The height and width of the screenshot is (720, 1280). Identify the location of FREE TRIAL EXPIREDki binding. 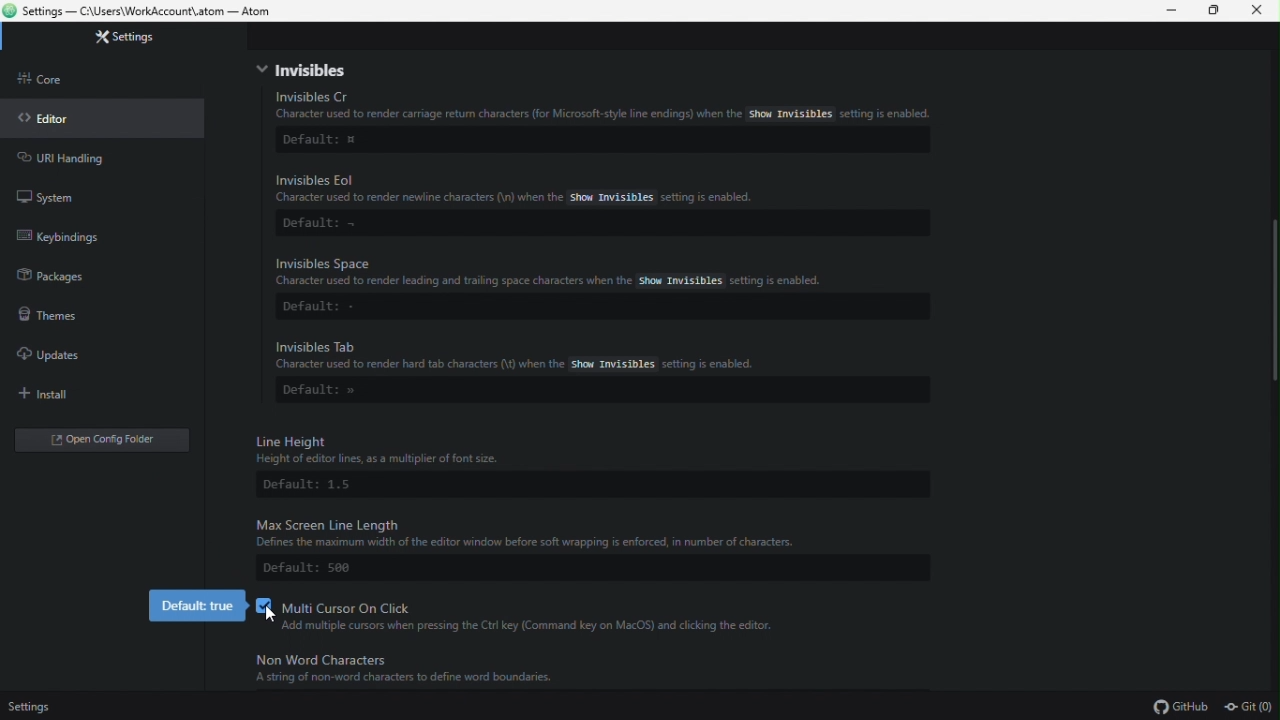
(99, 240).